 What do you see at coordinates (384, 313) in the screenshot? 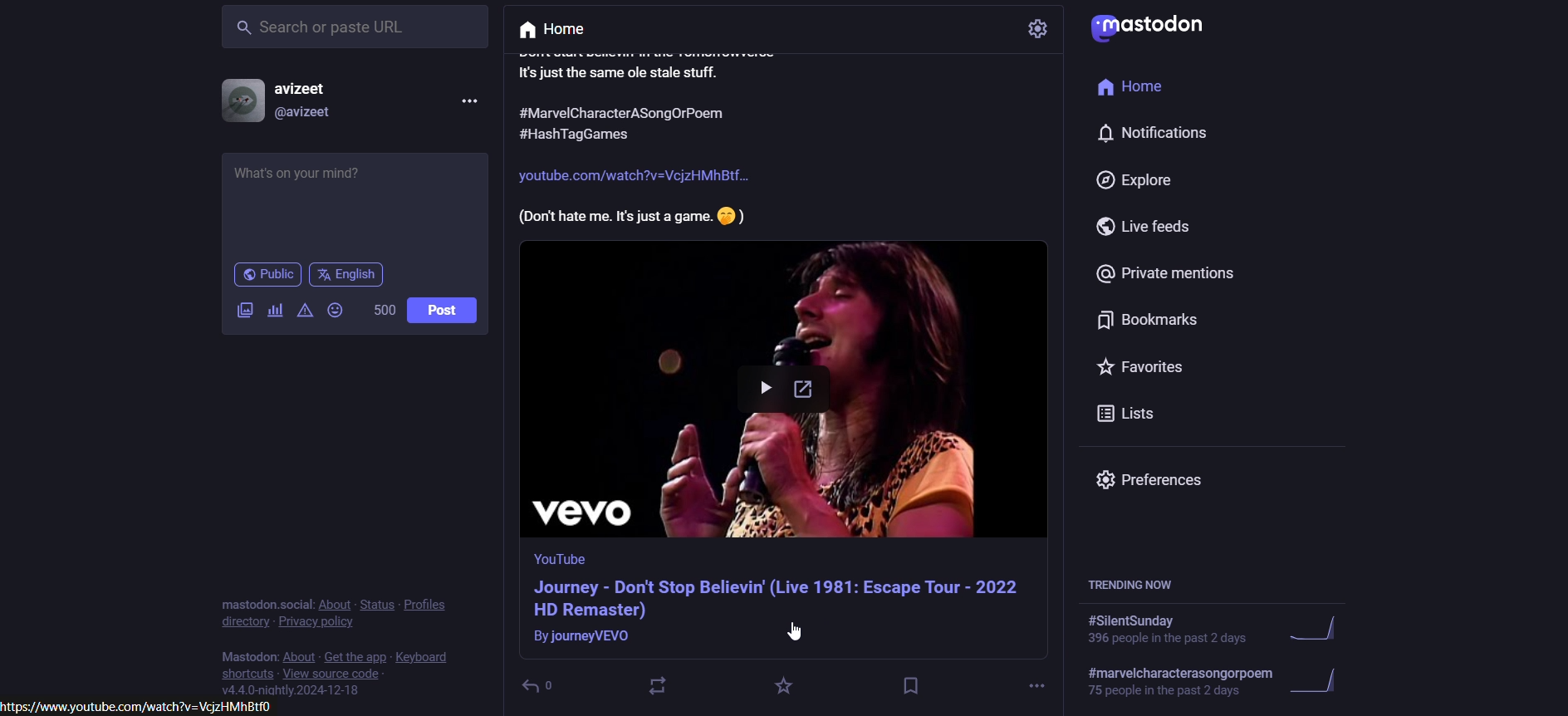
I see `word limit` at bounding box center [384, 313].